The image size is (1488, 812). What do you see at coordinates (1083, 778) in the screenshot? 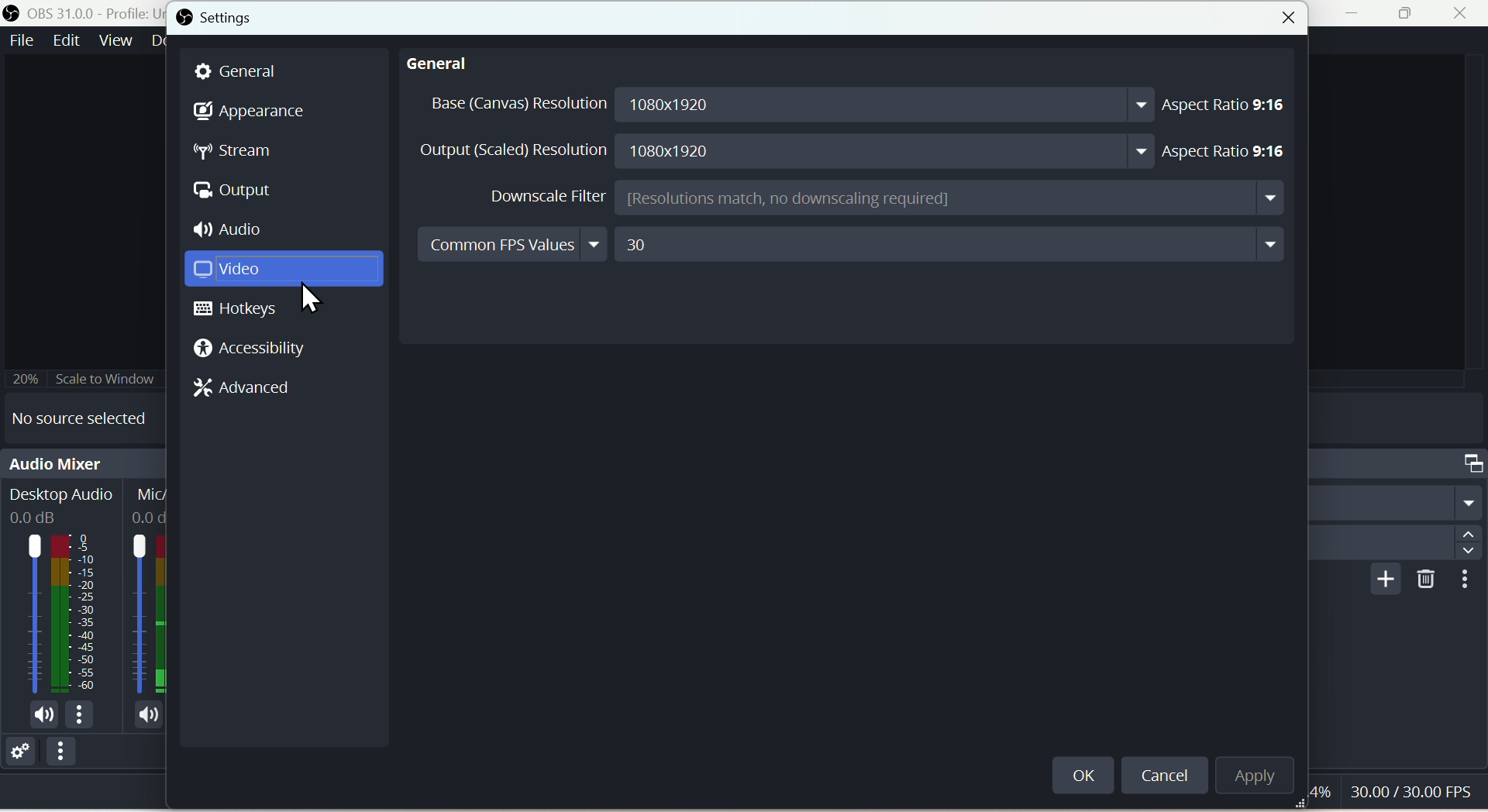
I see `okay` at bounding box center [1083, 778].